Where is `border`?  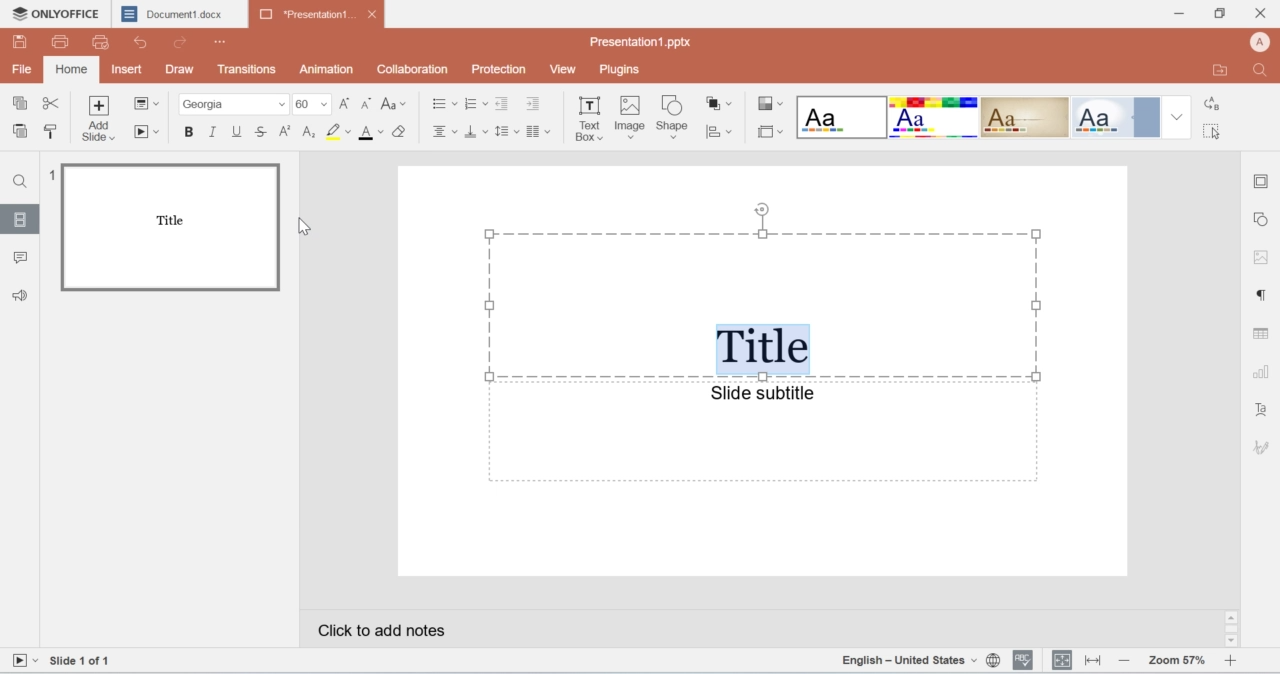 border is located at coordinates (1262, 179).